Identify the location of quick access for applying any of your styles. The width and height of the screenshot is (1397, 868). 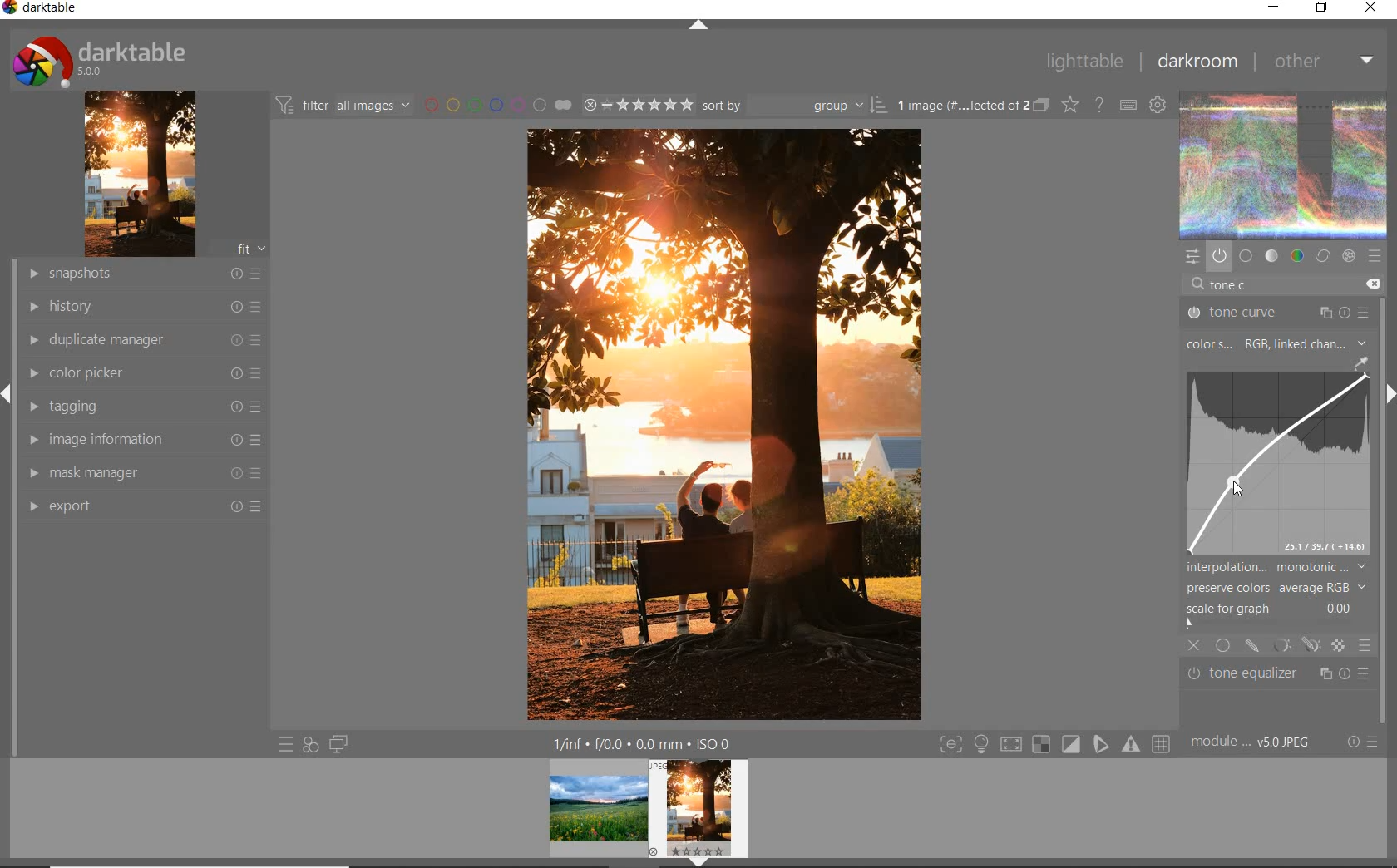
(310, 744).